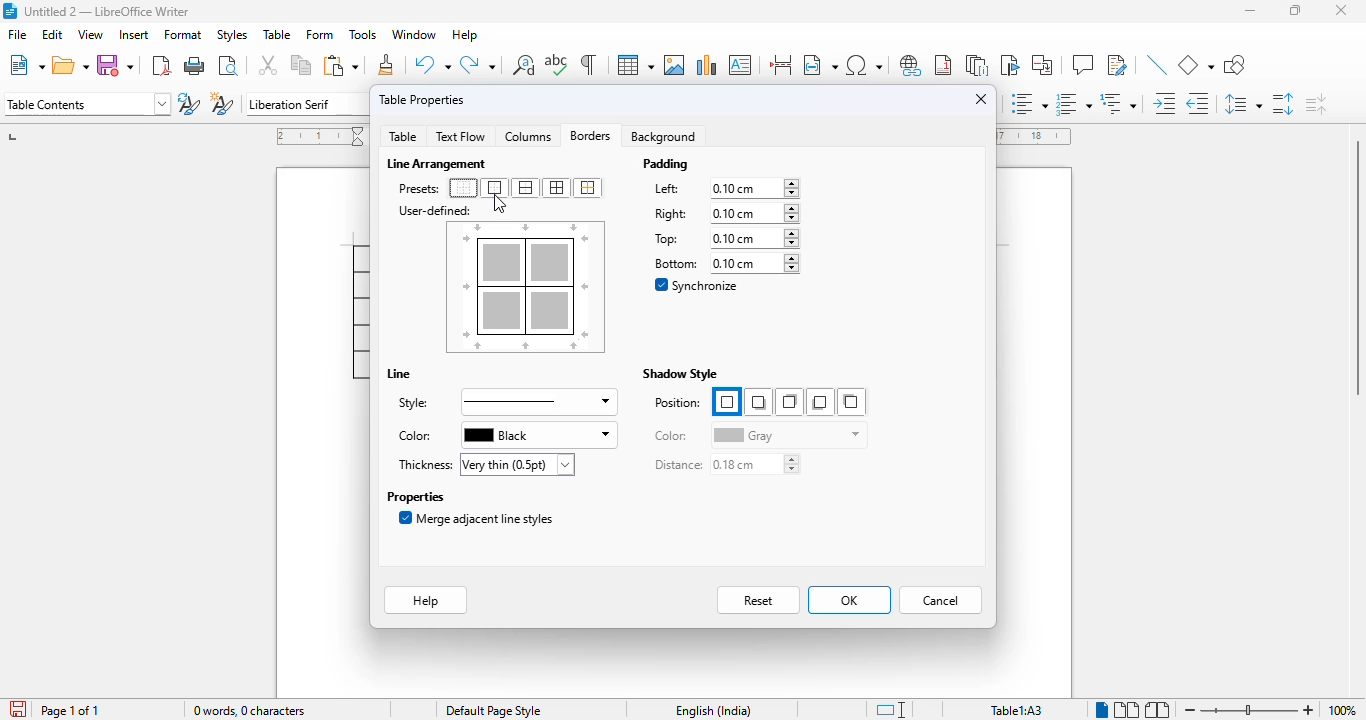 This screenshot has width=1366, height=720. Describe the element at coordinates (1354, 265) in the screenshot. I see `vertical scroll bar` at that location.